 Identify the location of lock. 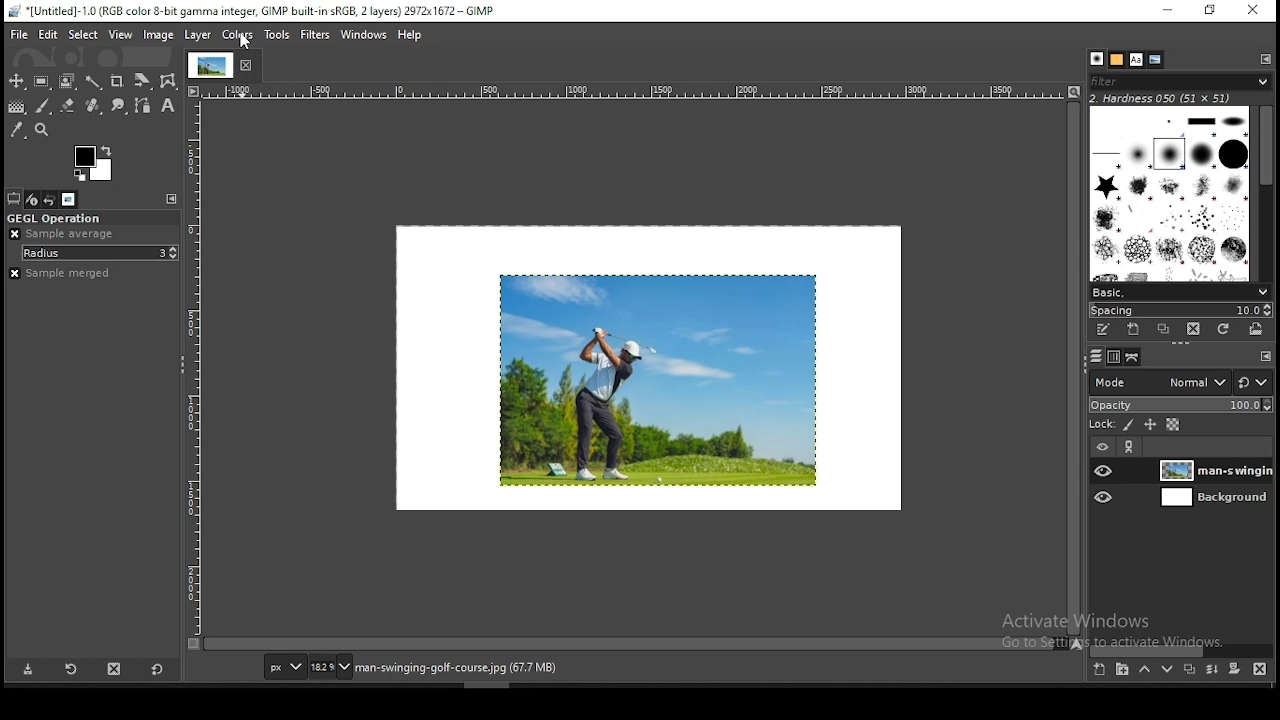
(1103, 425).